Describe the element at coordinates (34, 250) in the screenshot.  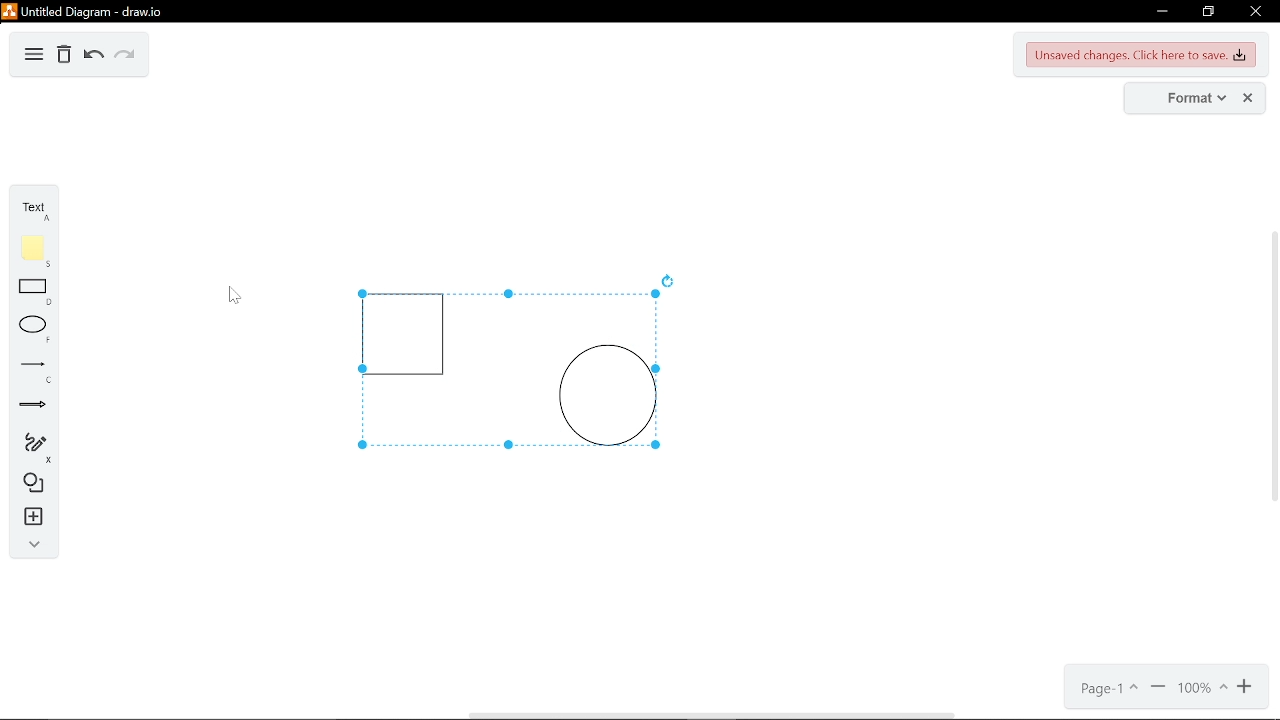
I see `note` at that location.